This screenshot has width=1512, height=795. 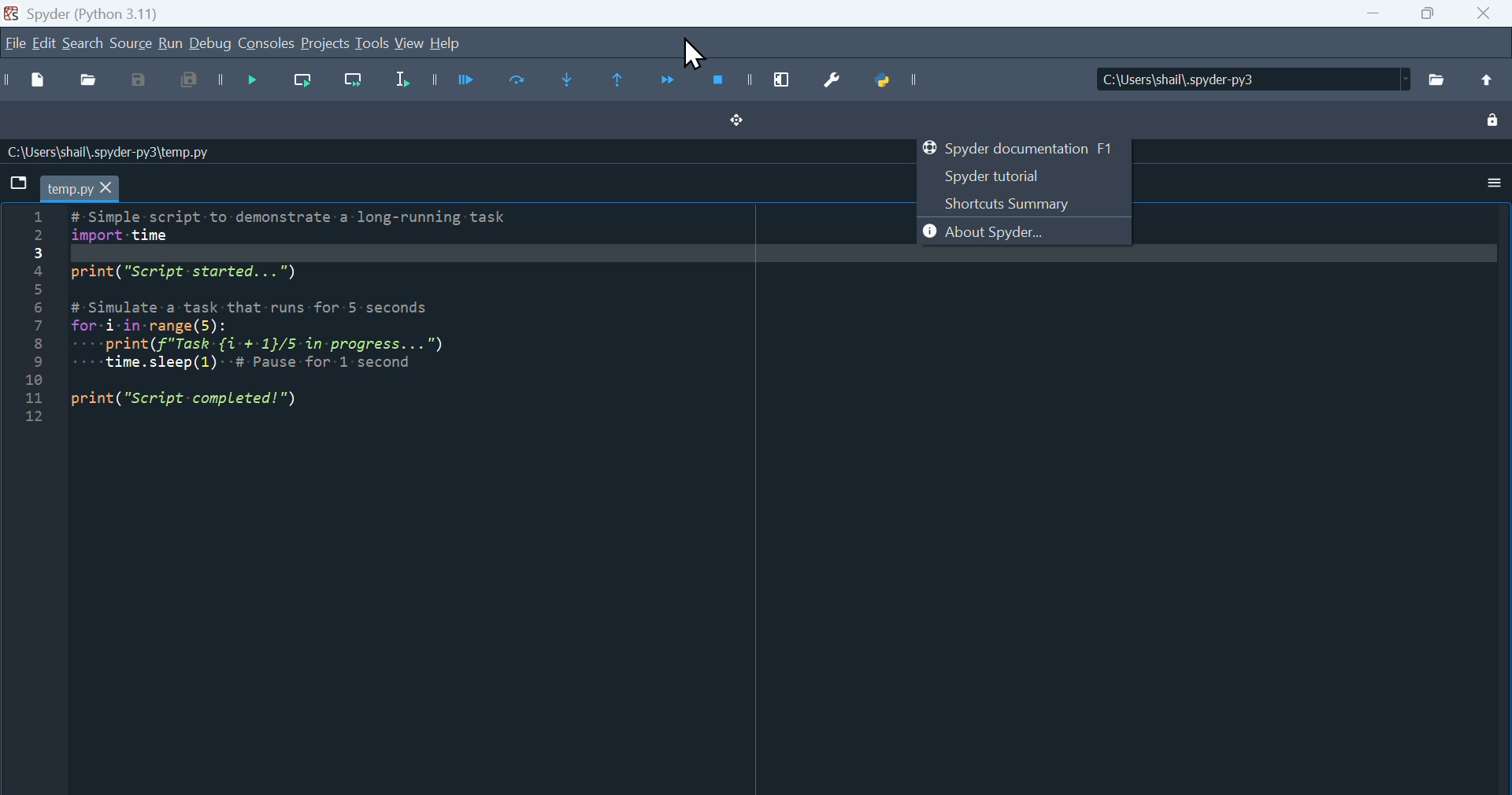 What do you see at coordinates (1007, 178) in the screenshot?
I see `Spyder tutorial` at bounding box center [1007, 178].